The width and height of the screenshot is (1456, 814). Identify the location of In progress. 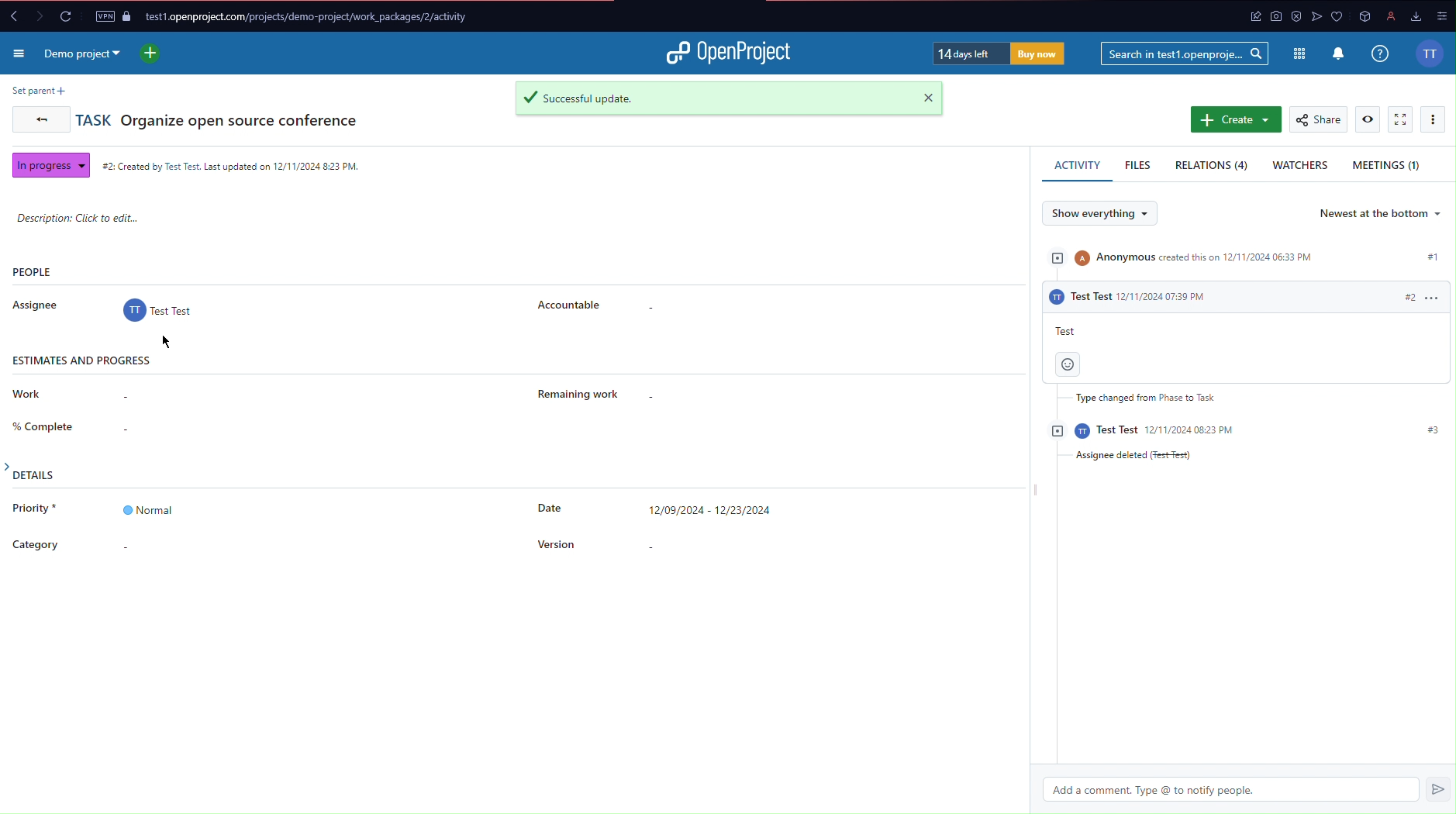
(50, 165).